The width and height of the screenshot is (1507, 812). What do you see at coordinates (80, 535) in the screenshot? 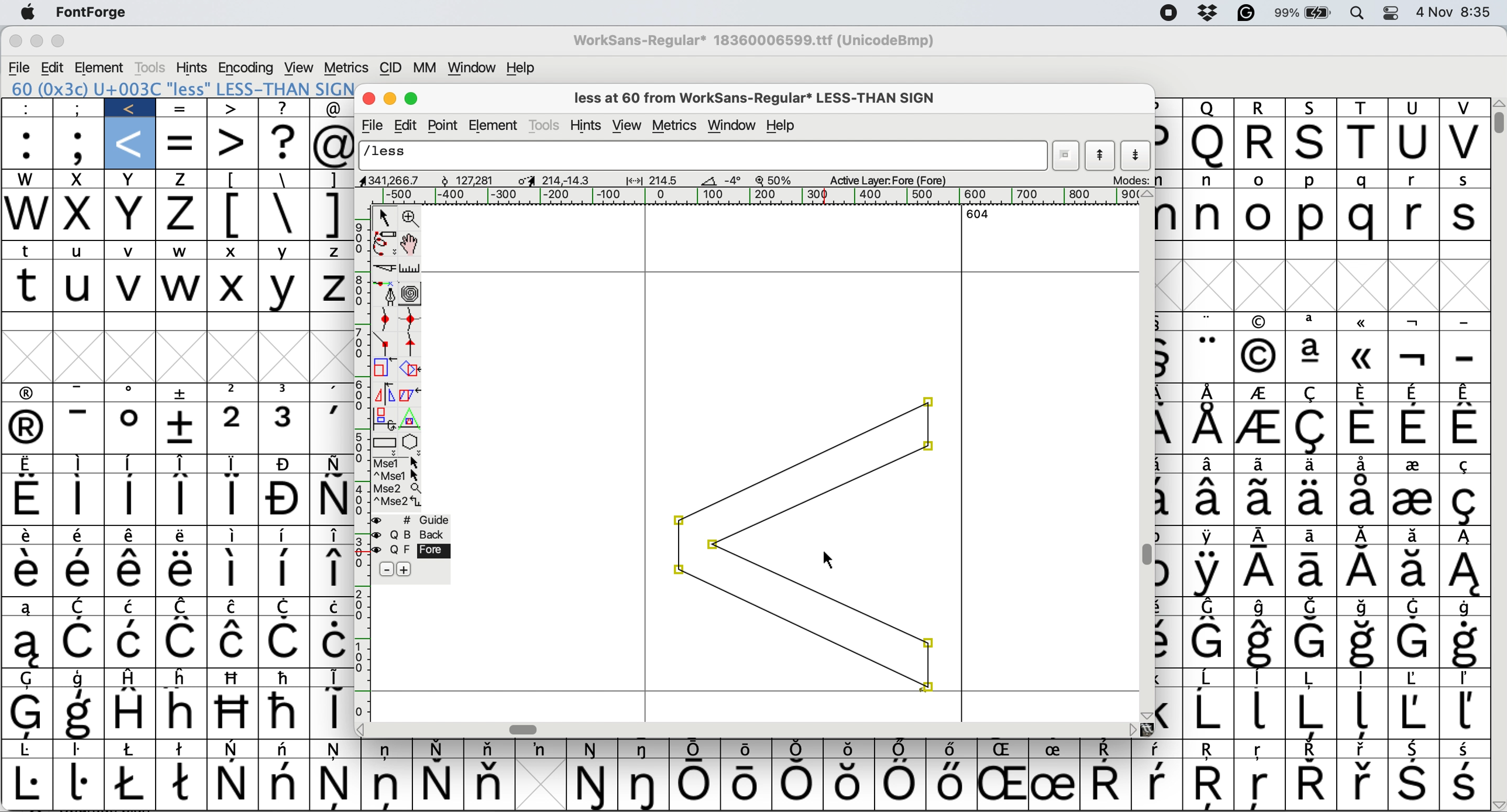
I see `Symbol` at bounding box center [80, 535].